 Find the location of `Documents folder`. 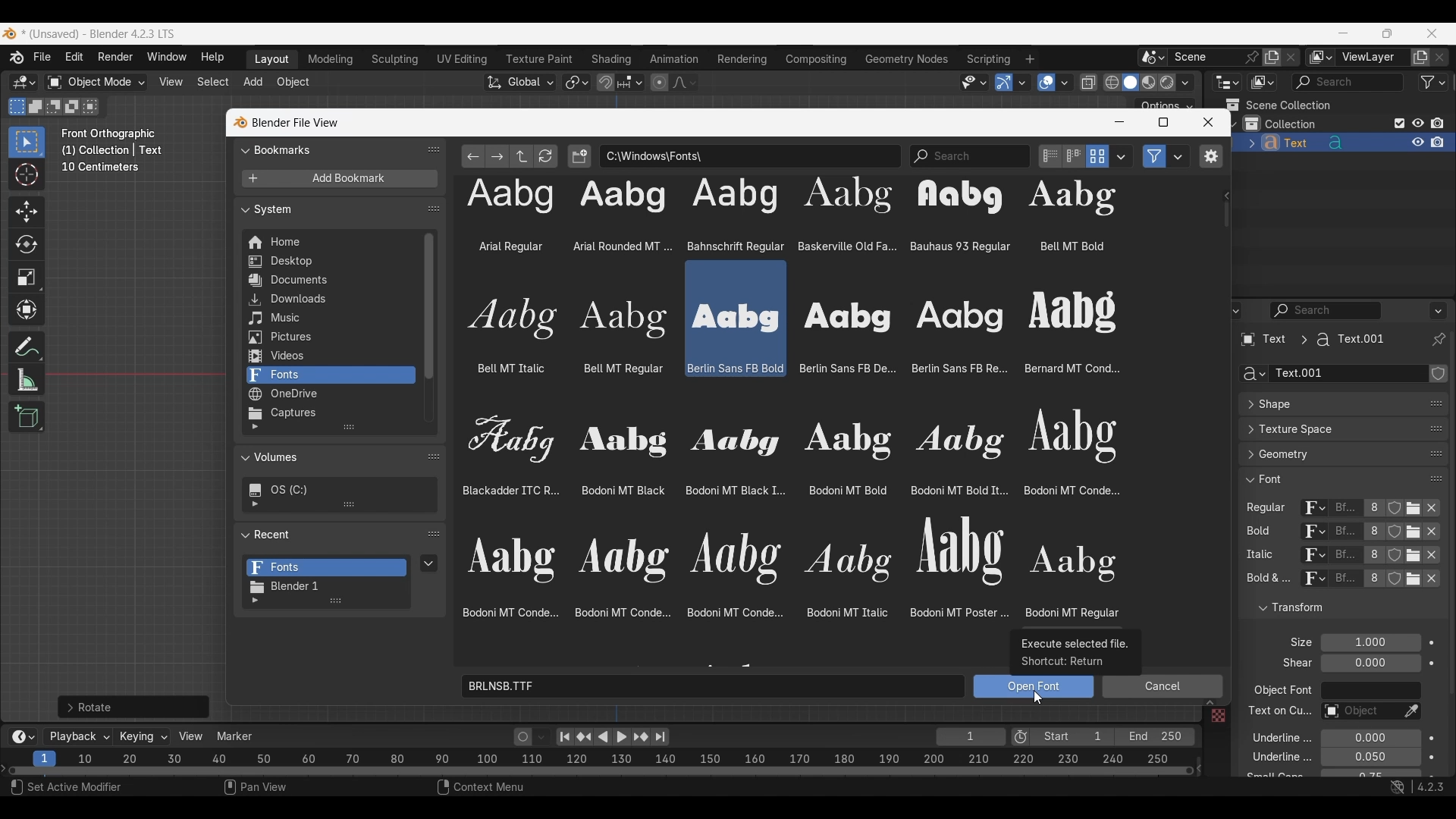

Documents folder is located at coordinates (329, 281).